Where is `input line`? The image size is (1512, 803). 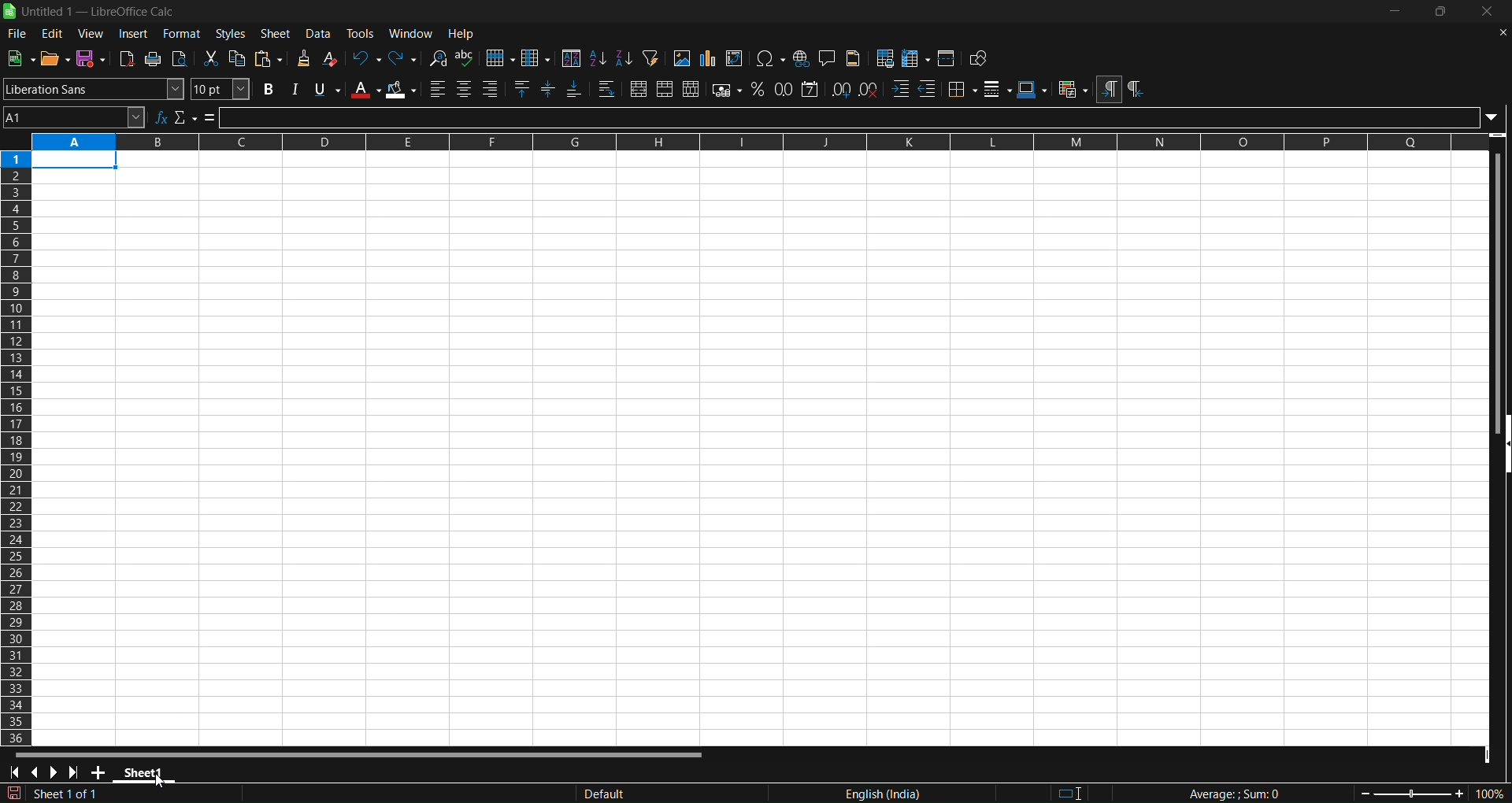 input line is located at coordinates (862, 117).